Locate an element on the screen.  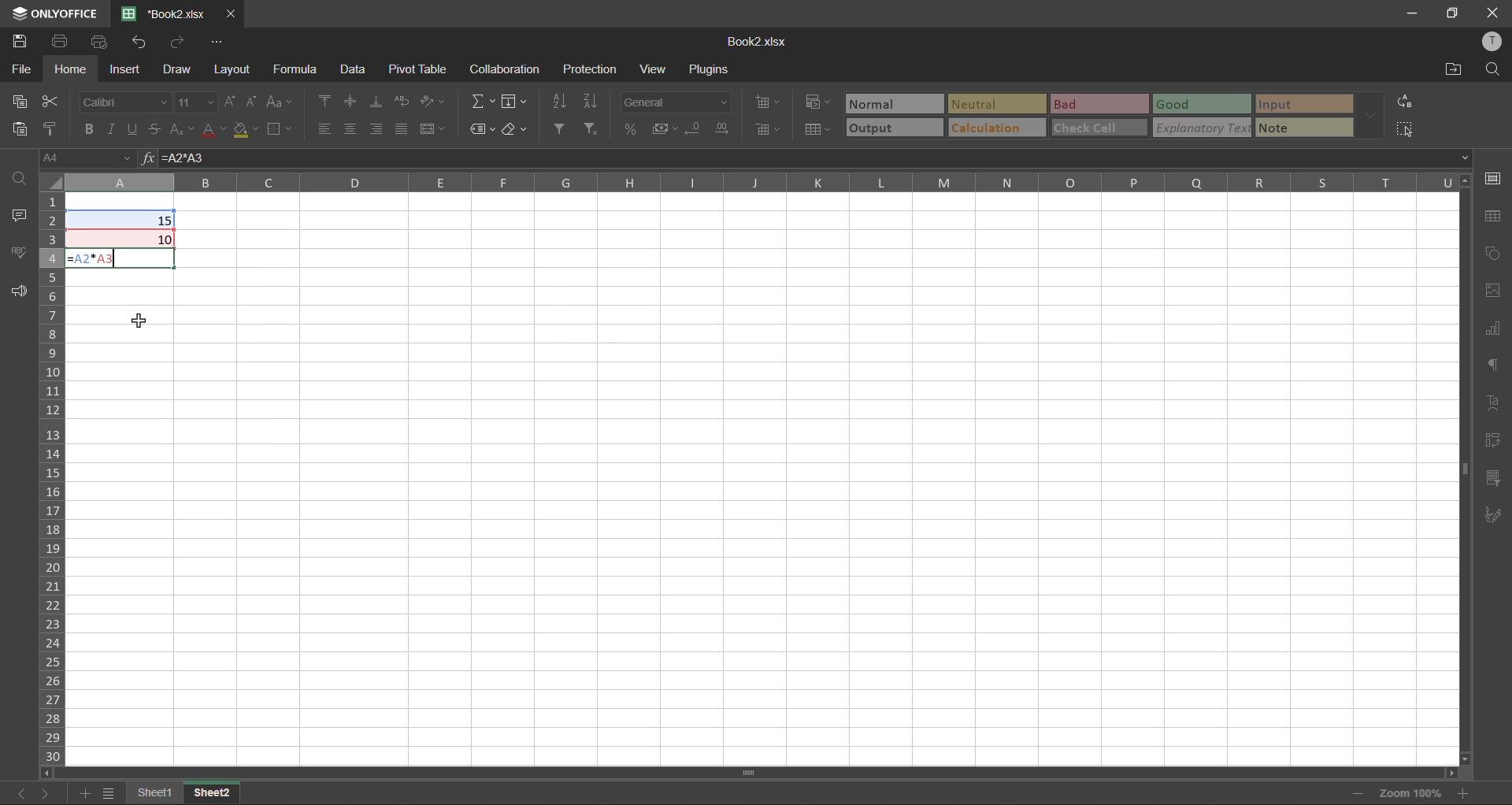
more options is located at coordinates (1374, 117).